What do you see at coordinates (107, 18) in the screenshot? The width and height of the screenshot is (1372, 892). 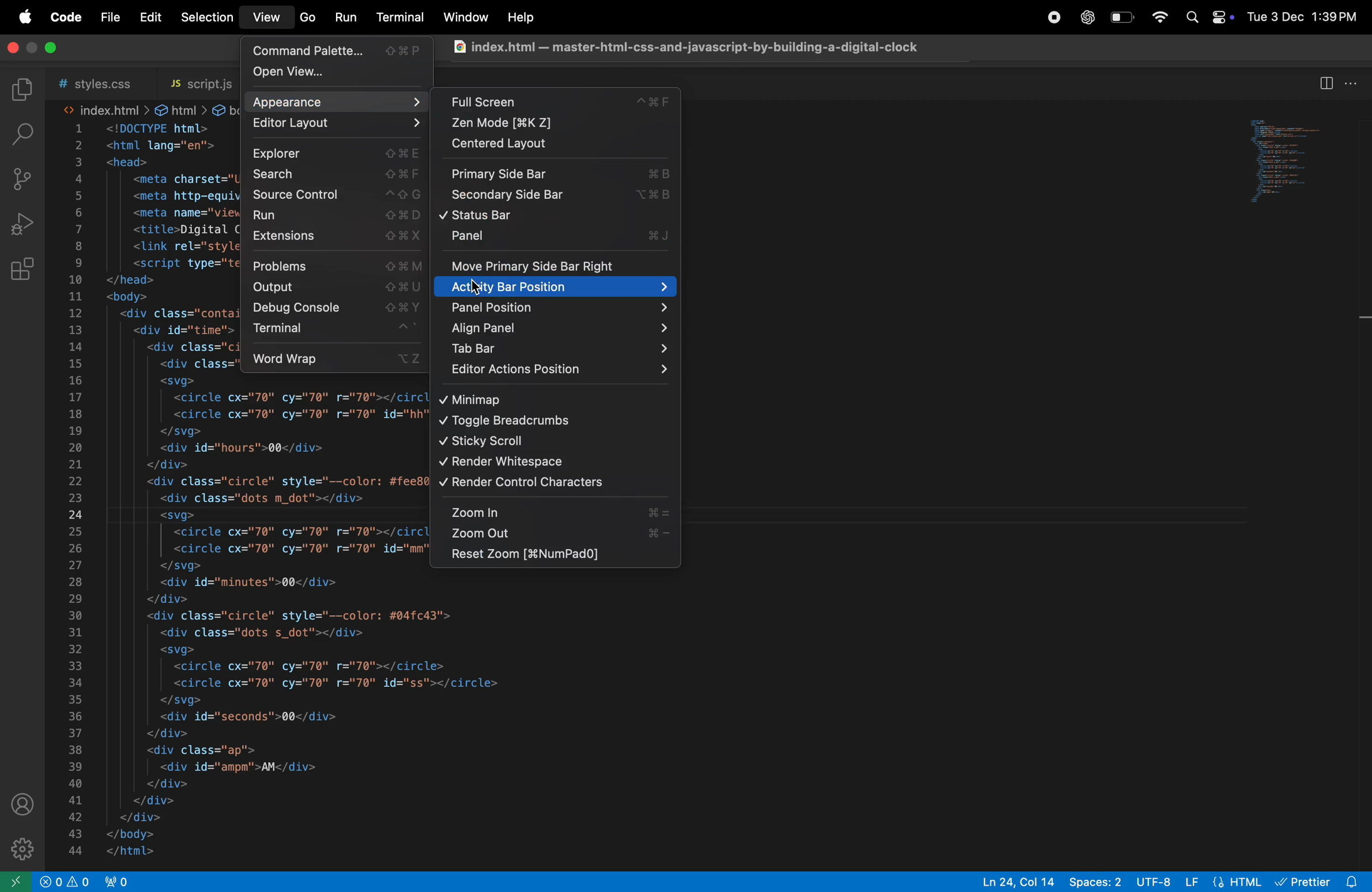 I see `file` at bounding box center [107, 18].